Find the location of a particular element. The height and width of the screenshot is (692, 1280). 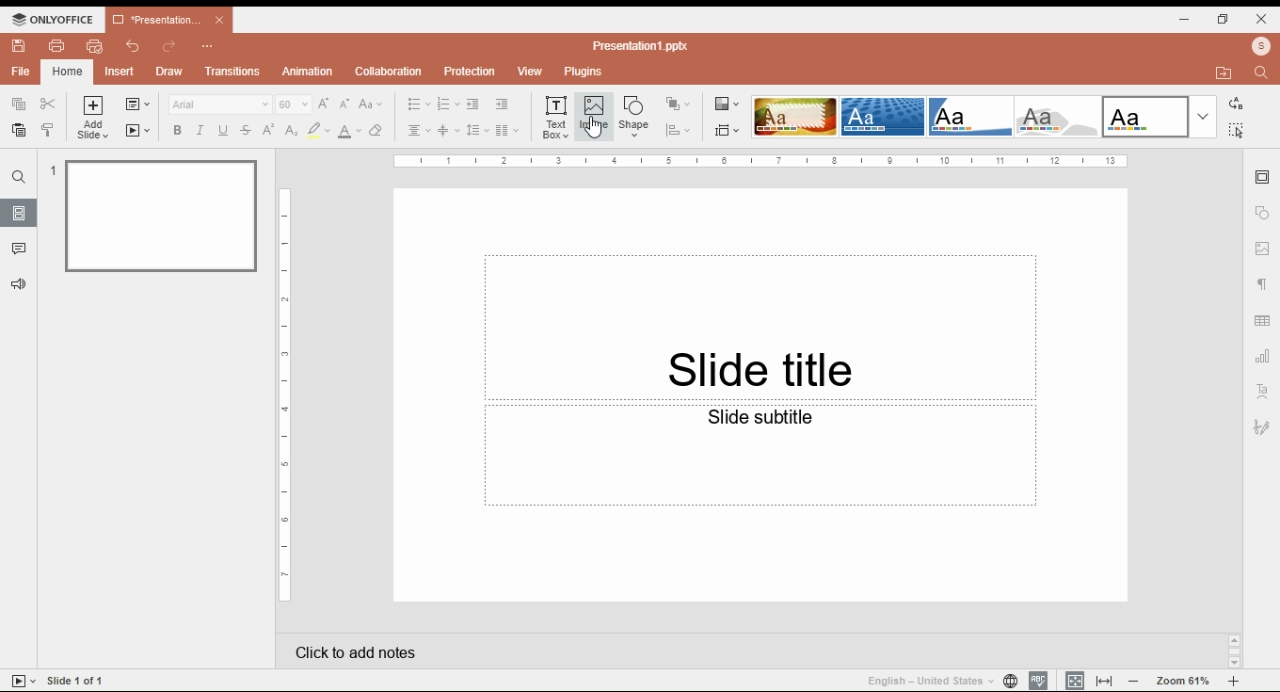

replace is located at coordinates (1235, 104).